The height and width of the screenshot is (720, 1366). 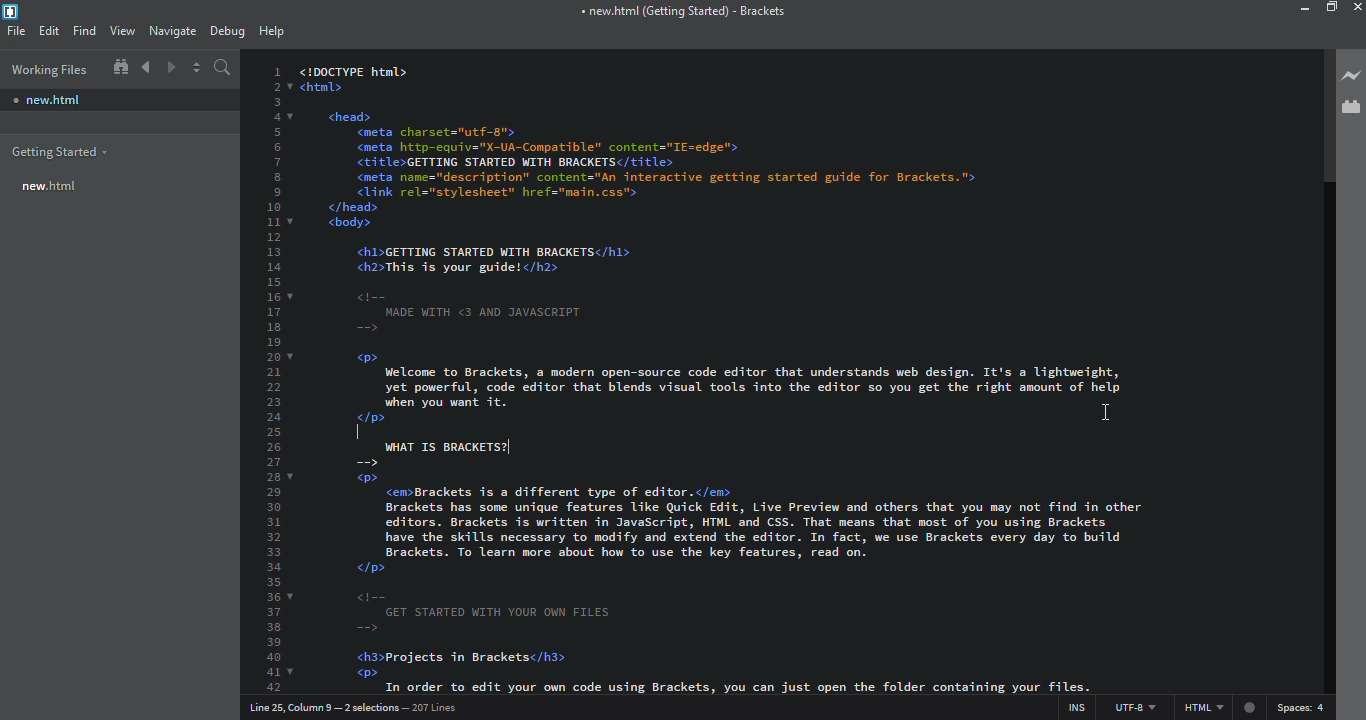 I want to click on help, so click(x=271, y=30).